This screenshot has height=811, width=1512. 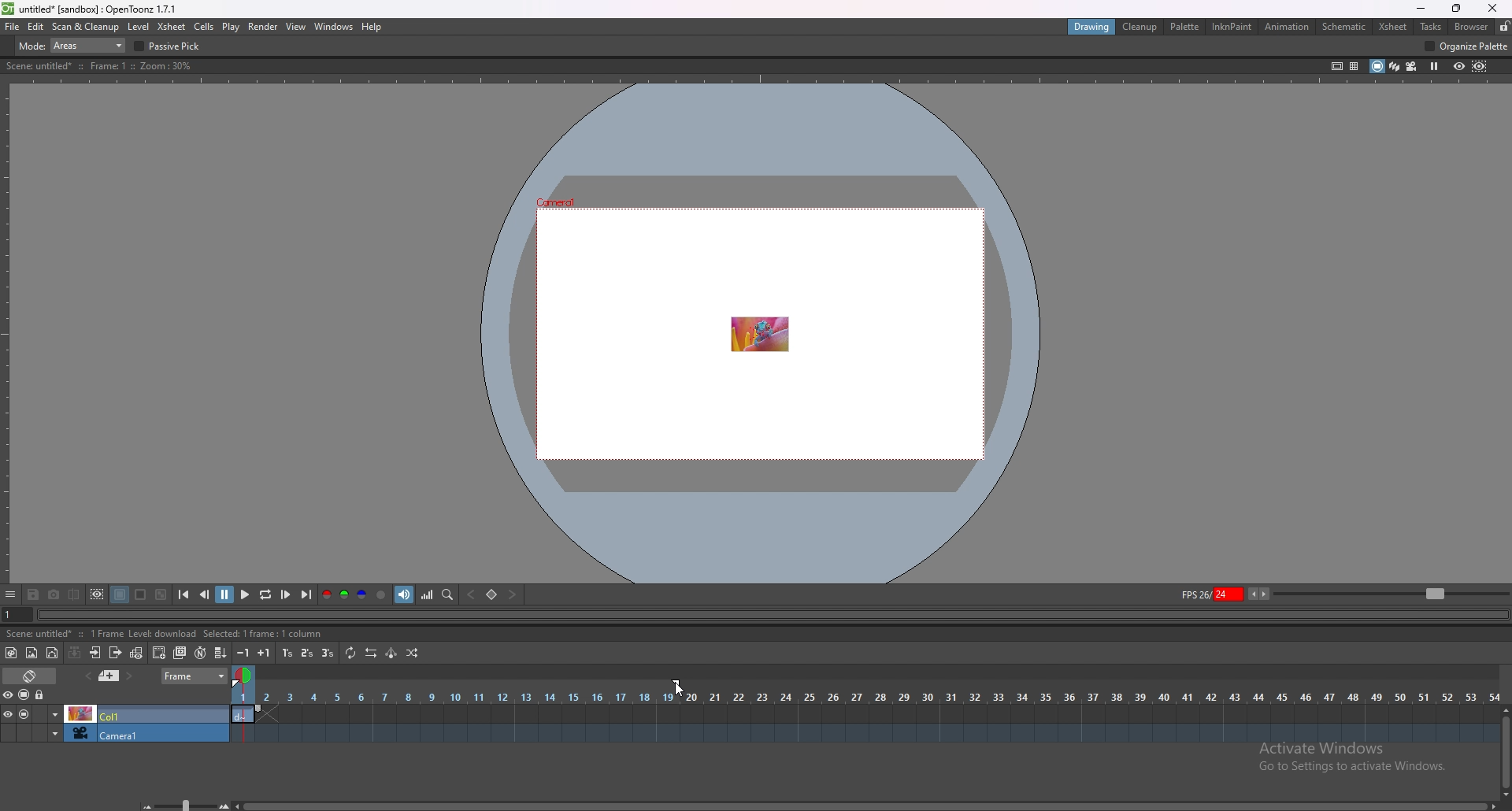 I want to click on scan and cleanup, so click(x=87, y=26).